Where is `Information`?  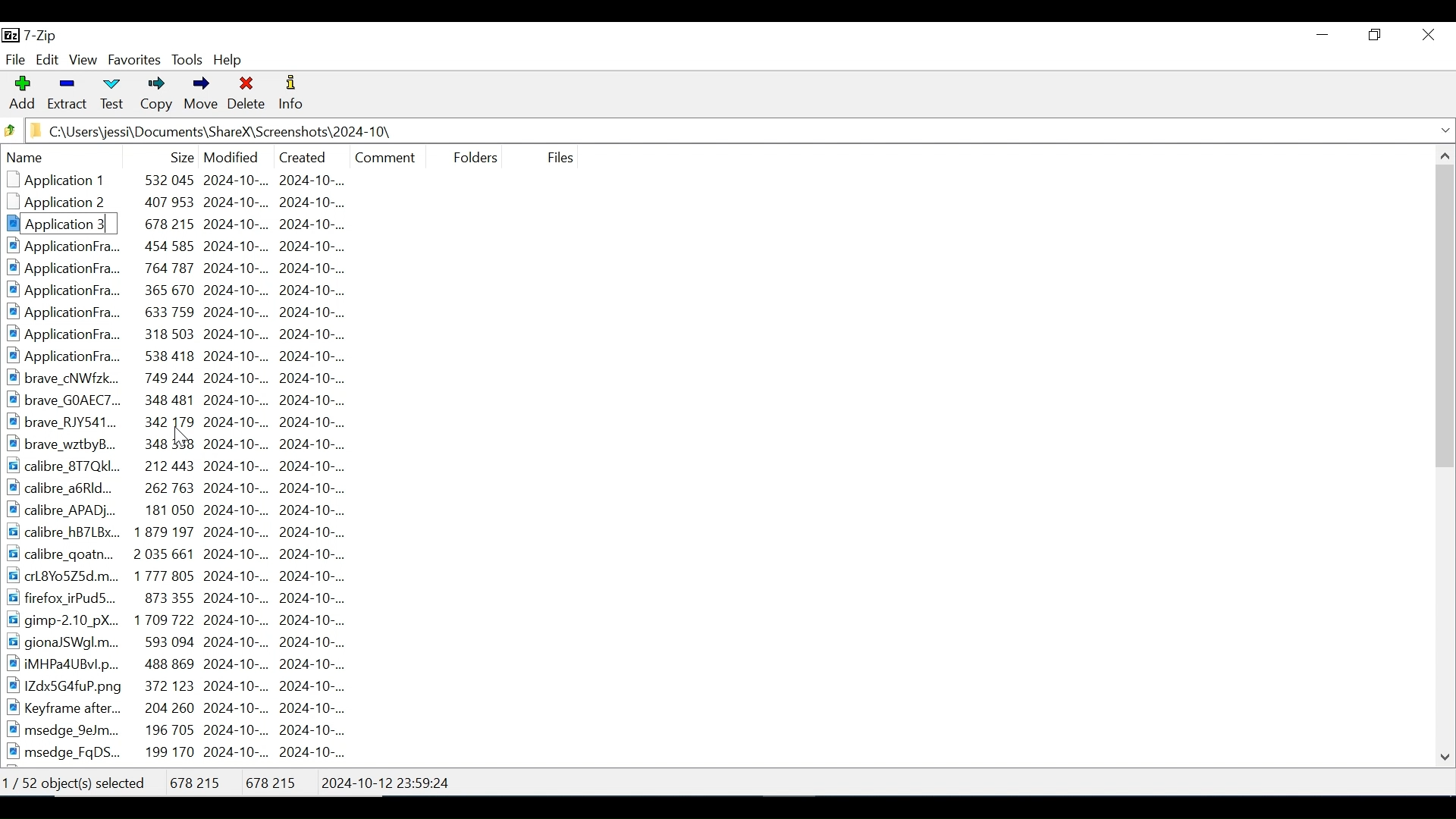 Information is located at coordinates (292, 95).